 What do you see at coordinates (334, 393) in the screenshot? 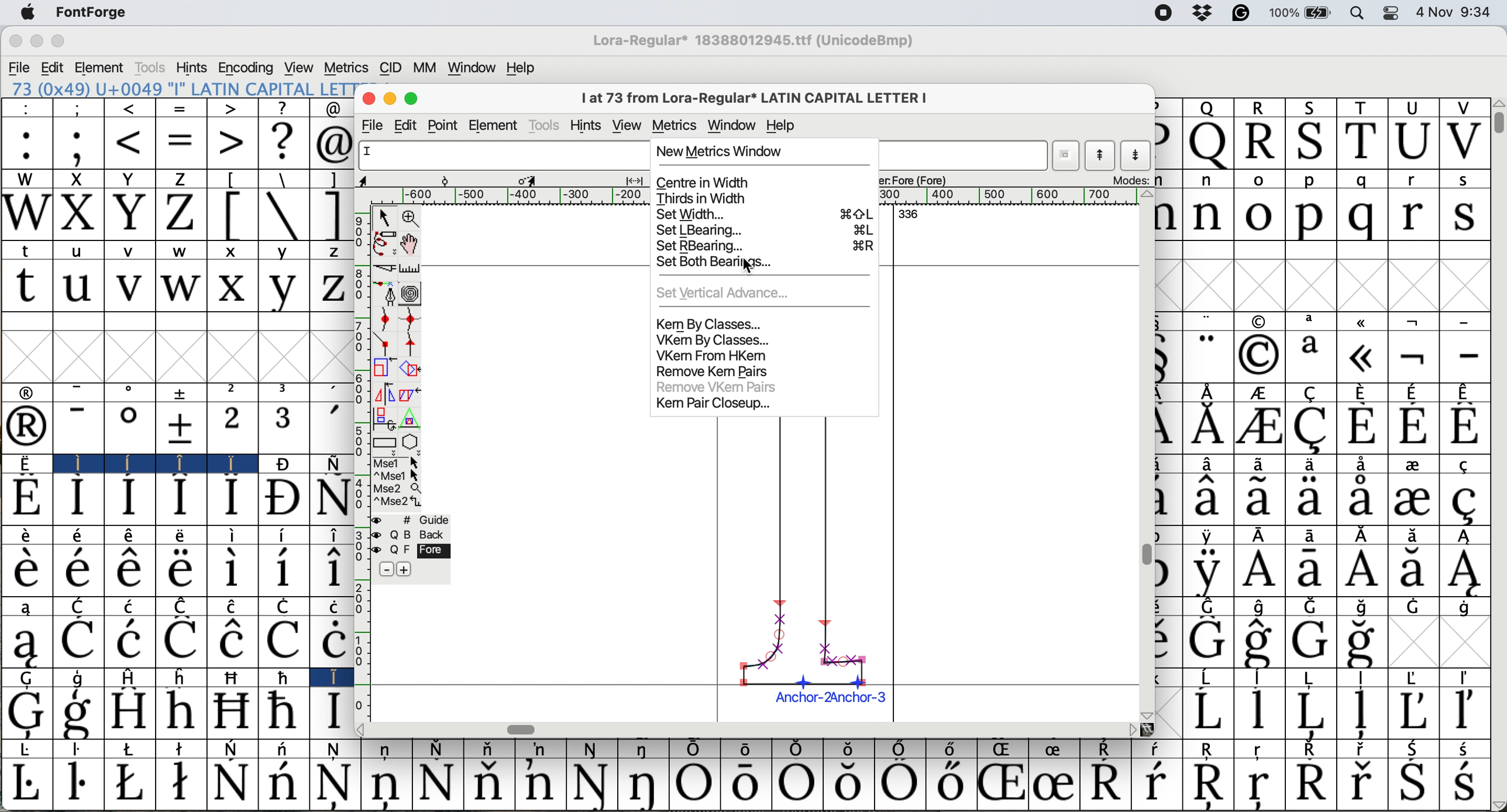
I see `,` at bounding box center [334, 393].